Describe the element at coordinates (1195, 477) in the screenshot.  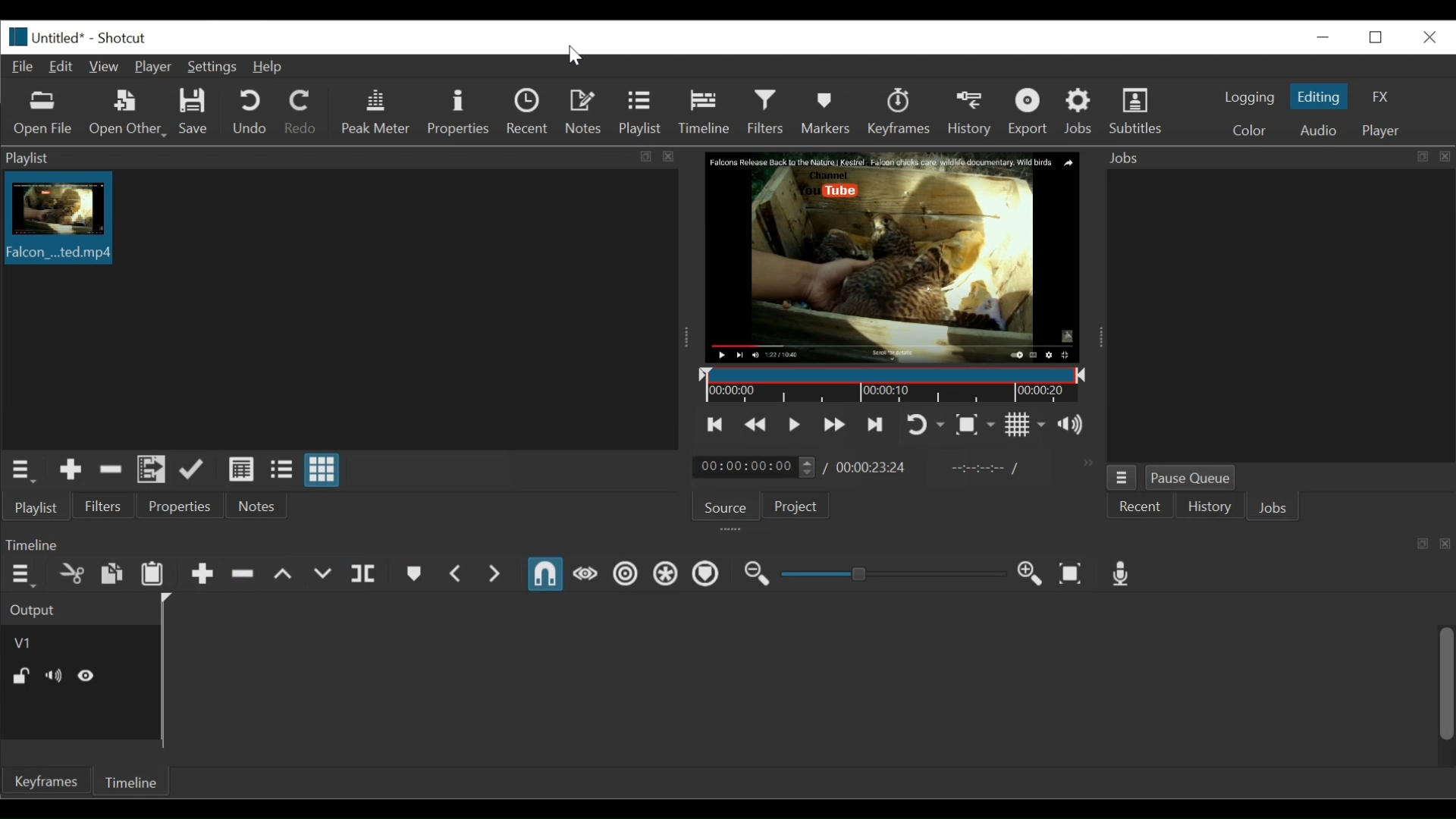
I see `Pause Queue` at that location.